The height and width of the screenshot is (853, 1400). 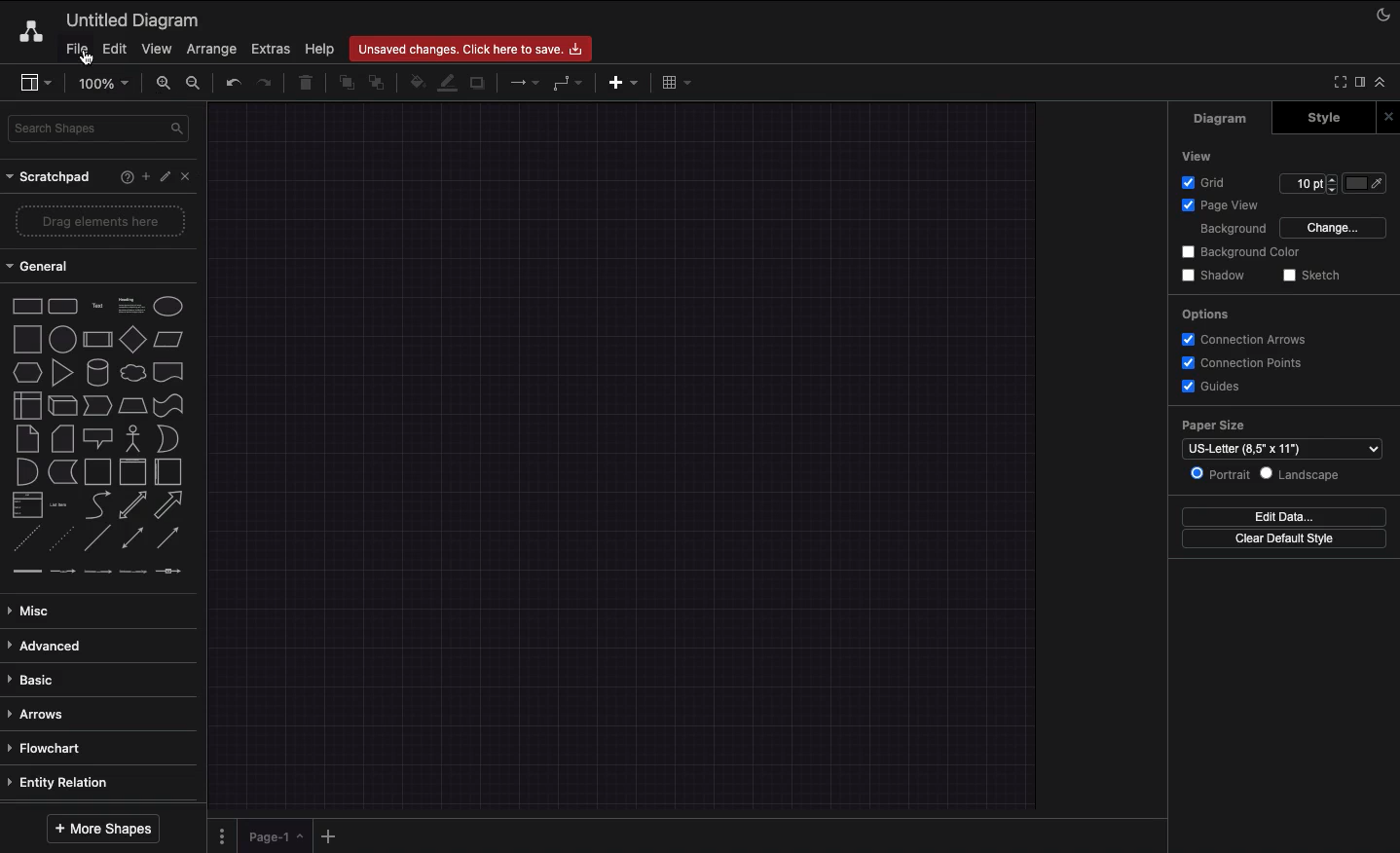 What do you see at coordinates (50, 177) in the screenshot?
I see `Scrathpad` at bounding box center [50, 177].